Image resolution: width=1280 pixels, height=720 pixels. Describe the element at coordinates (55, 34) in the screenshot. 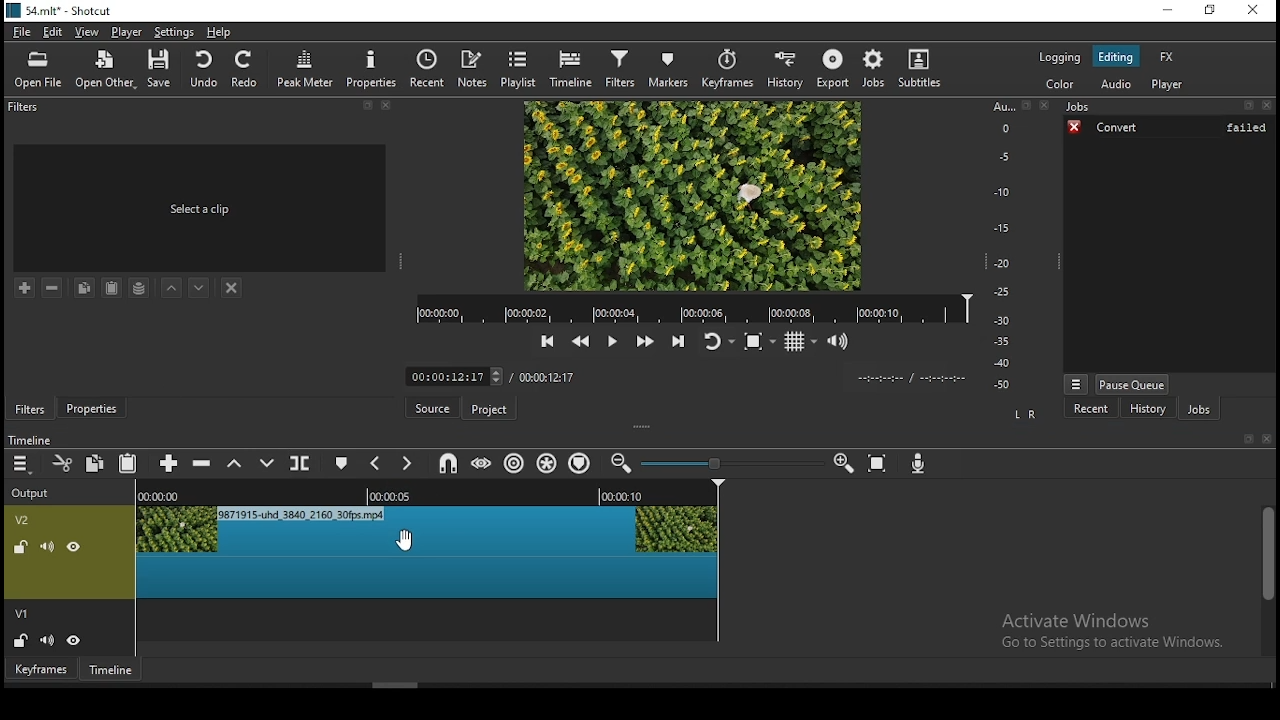

I see `edit` at that location.